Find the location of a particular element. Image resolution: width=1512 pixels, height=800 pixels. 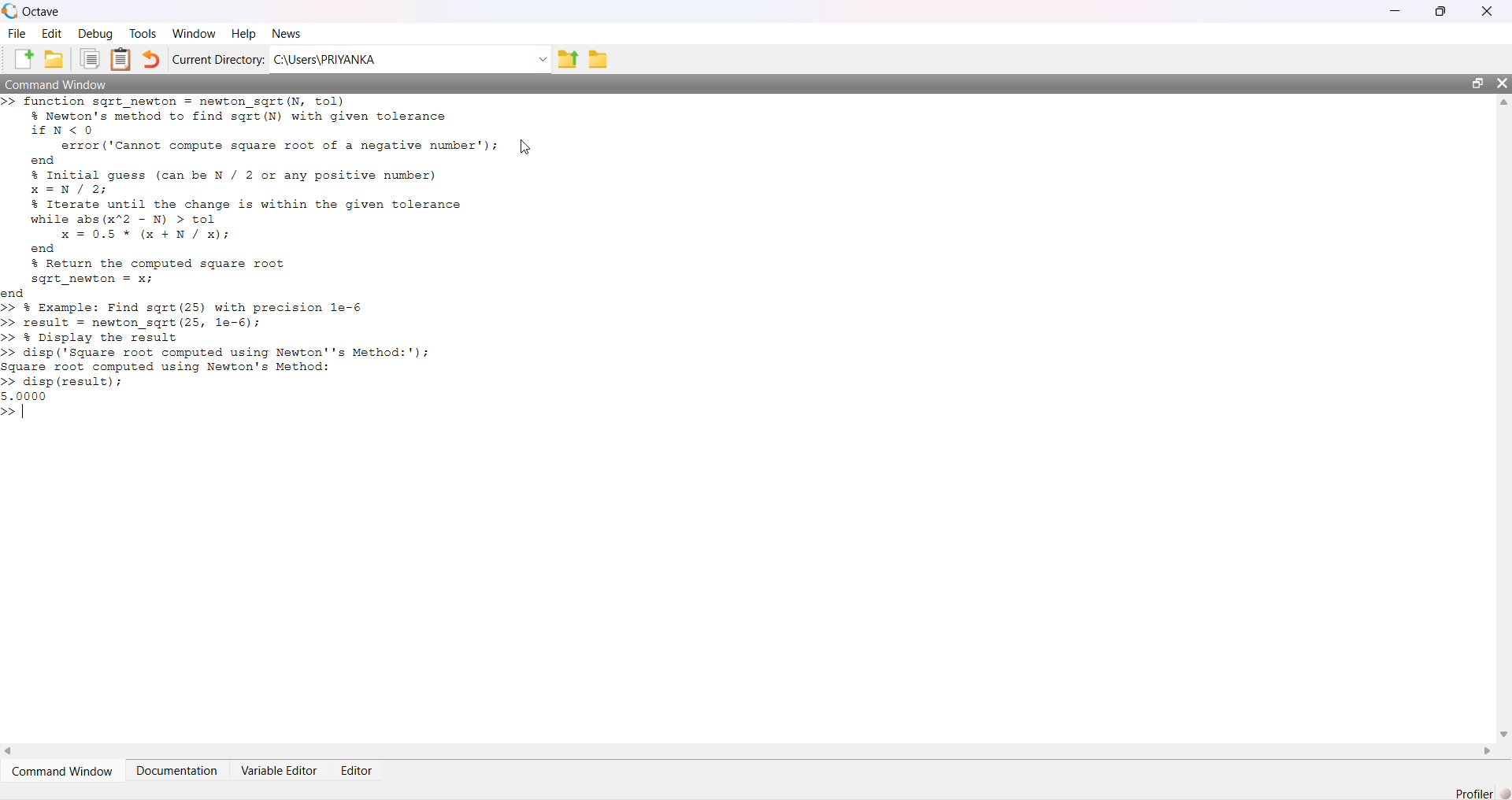

Maximize is located at coordinates (1443, 9).